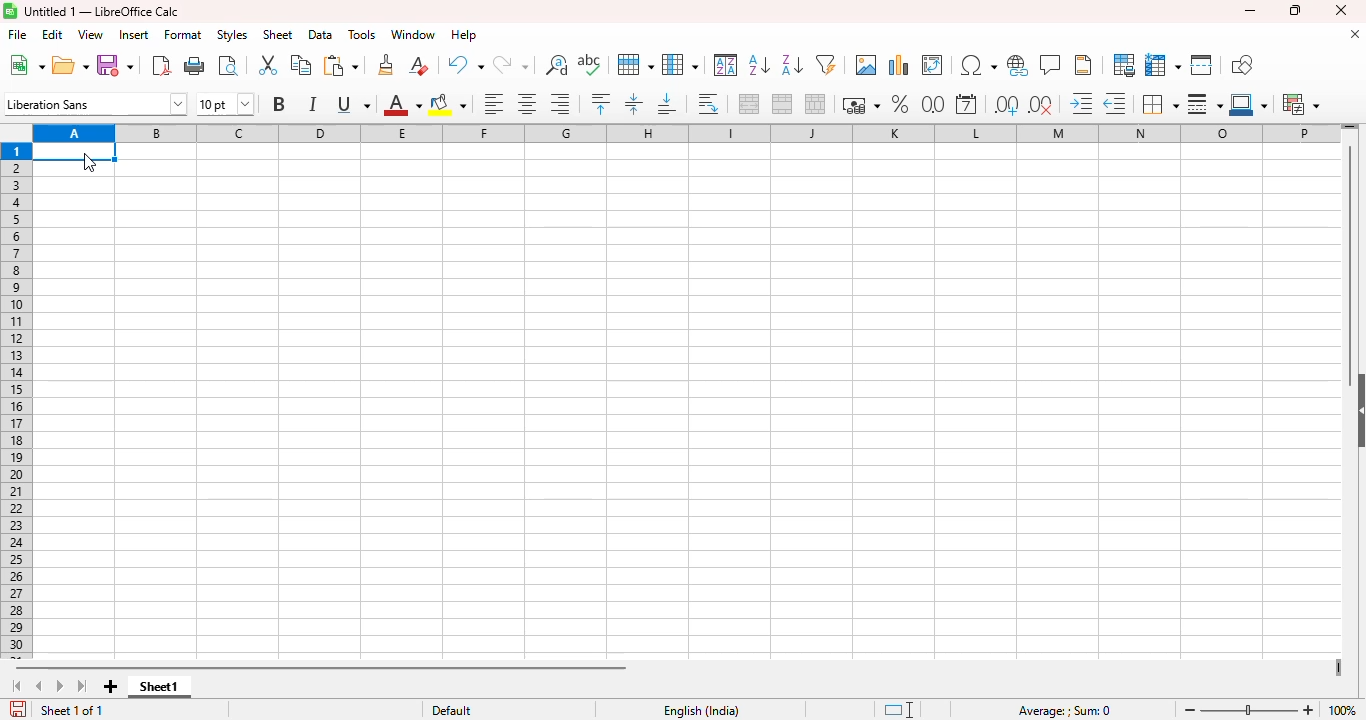  What do you see at coordinates (1357, 412) in the screenshot?
I see `show` at bounding box center [1357, 412].